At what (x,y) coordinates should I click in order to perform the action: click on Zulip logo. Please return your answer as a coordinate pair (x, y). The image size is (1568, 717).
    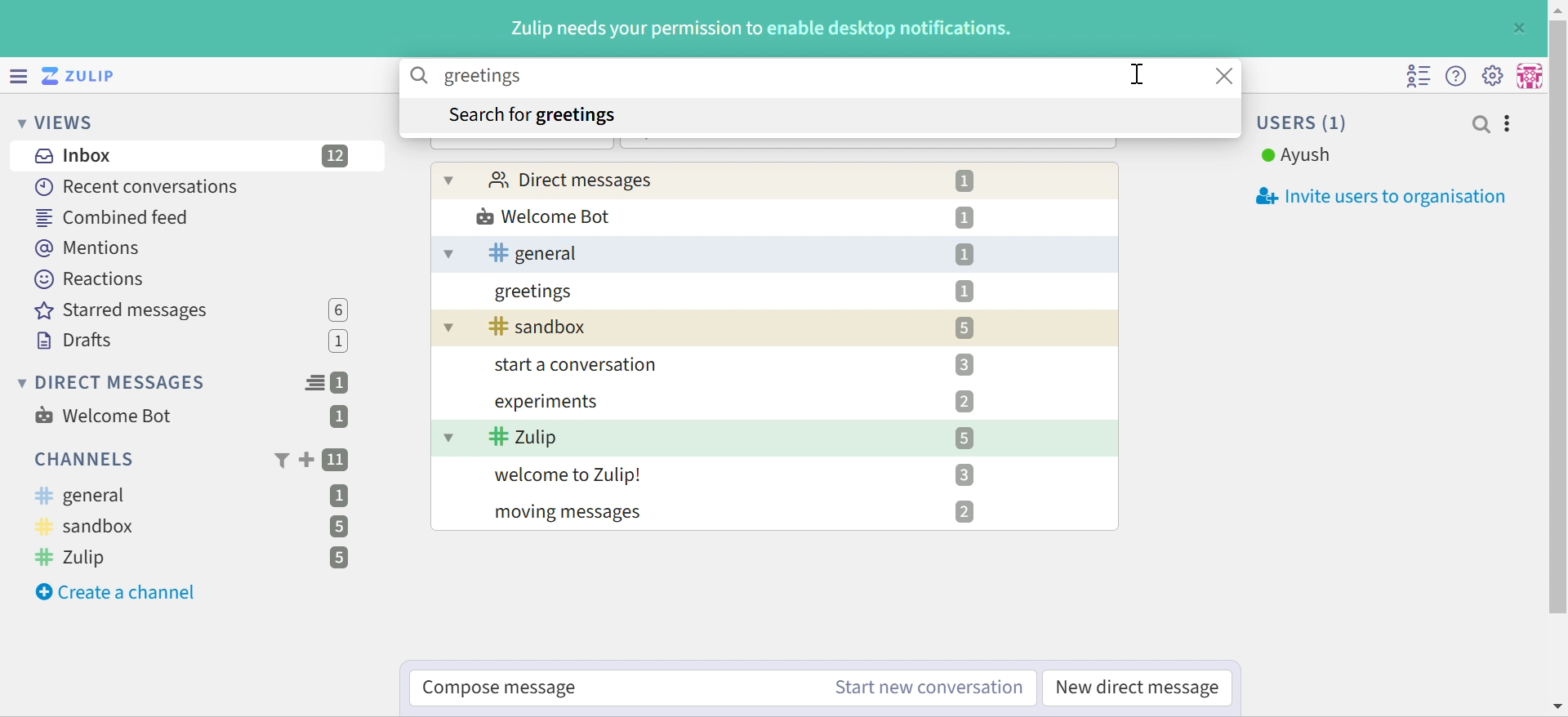
    Looking at the image, I should click on (82, 75).